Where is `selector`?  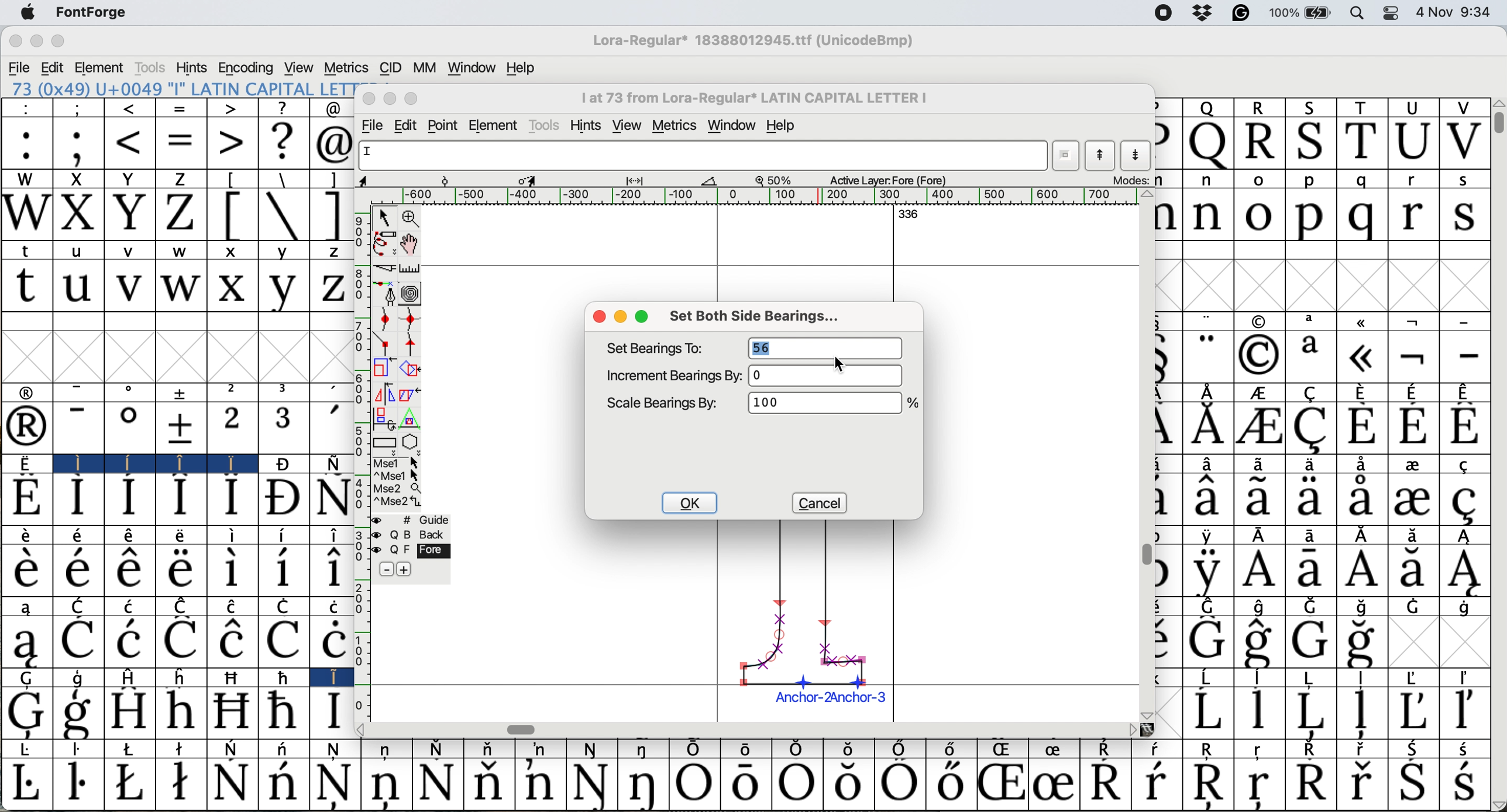 selector is located at coordinates (384, 216).